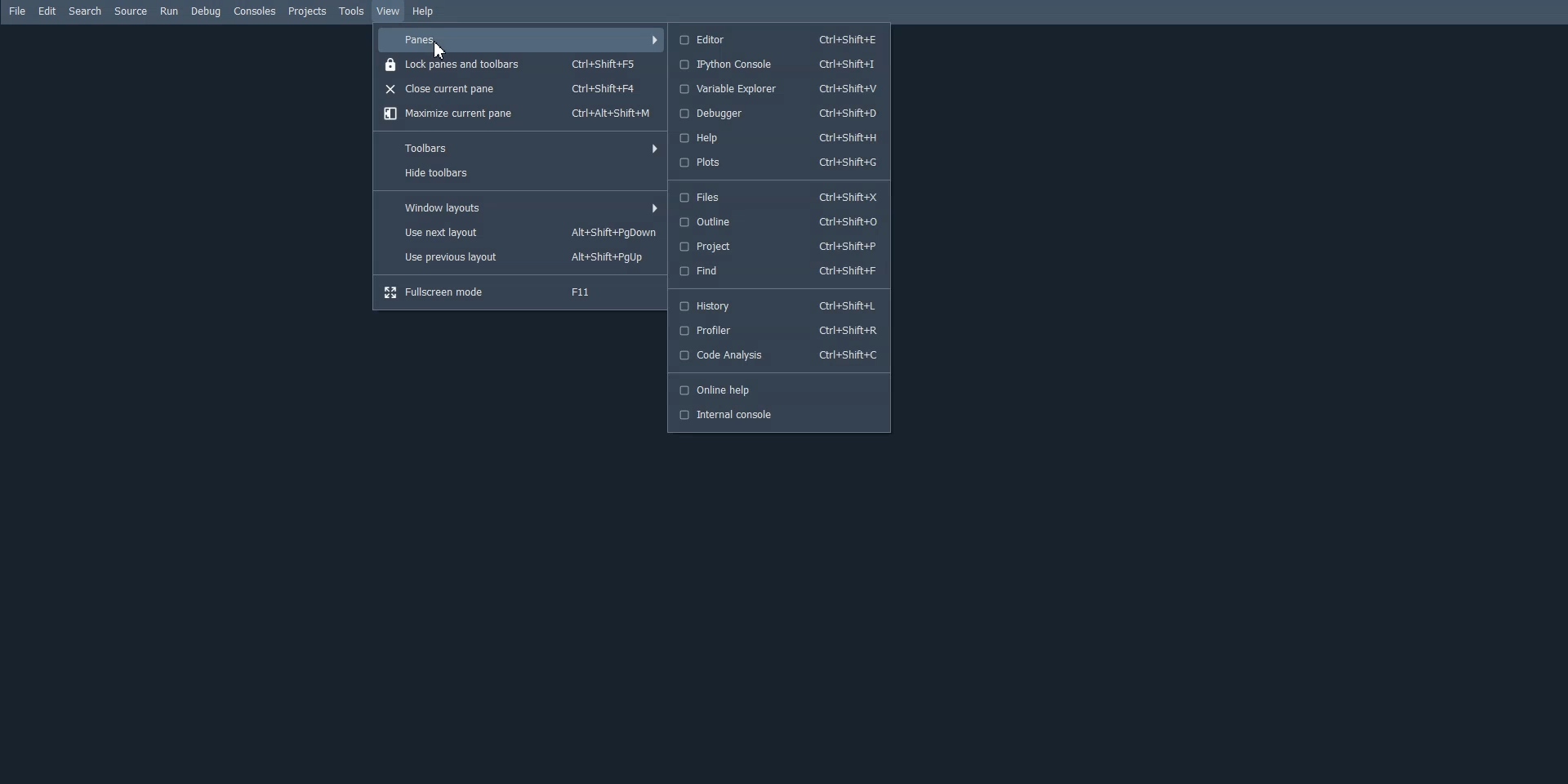  Describe the element at coordinates (522, 39) in the screenshot. I see `Panes` at that location.